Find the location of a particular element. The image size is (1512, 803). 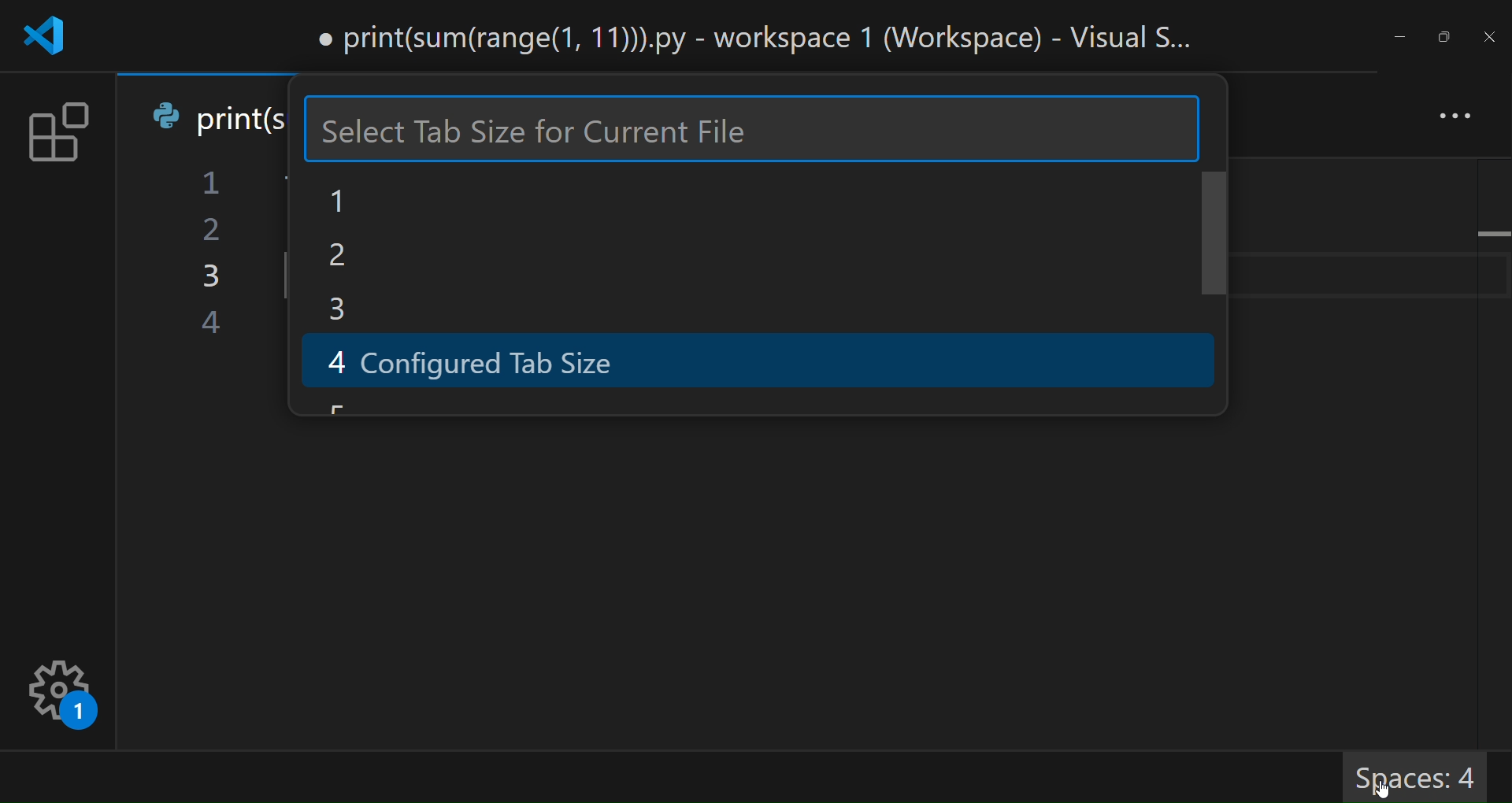

1 is located at coordinates (363, 201).